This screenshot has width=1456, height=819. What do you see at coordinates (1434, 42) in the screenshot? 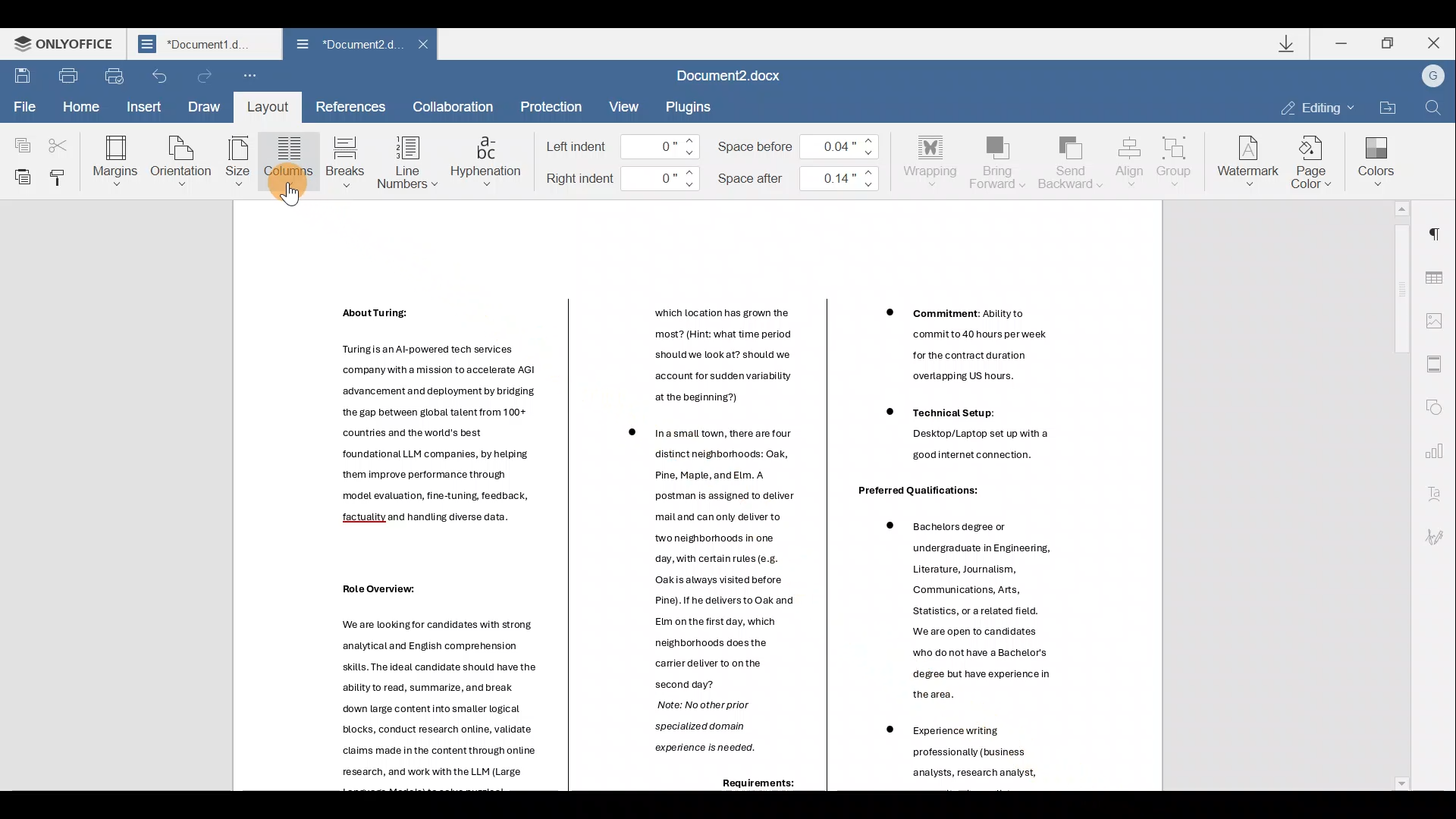
I see `Close` at bounding box center [1434, 42].